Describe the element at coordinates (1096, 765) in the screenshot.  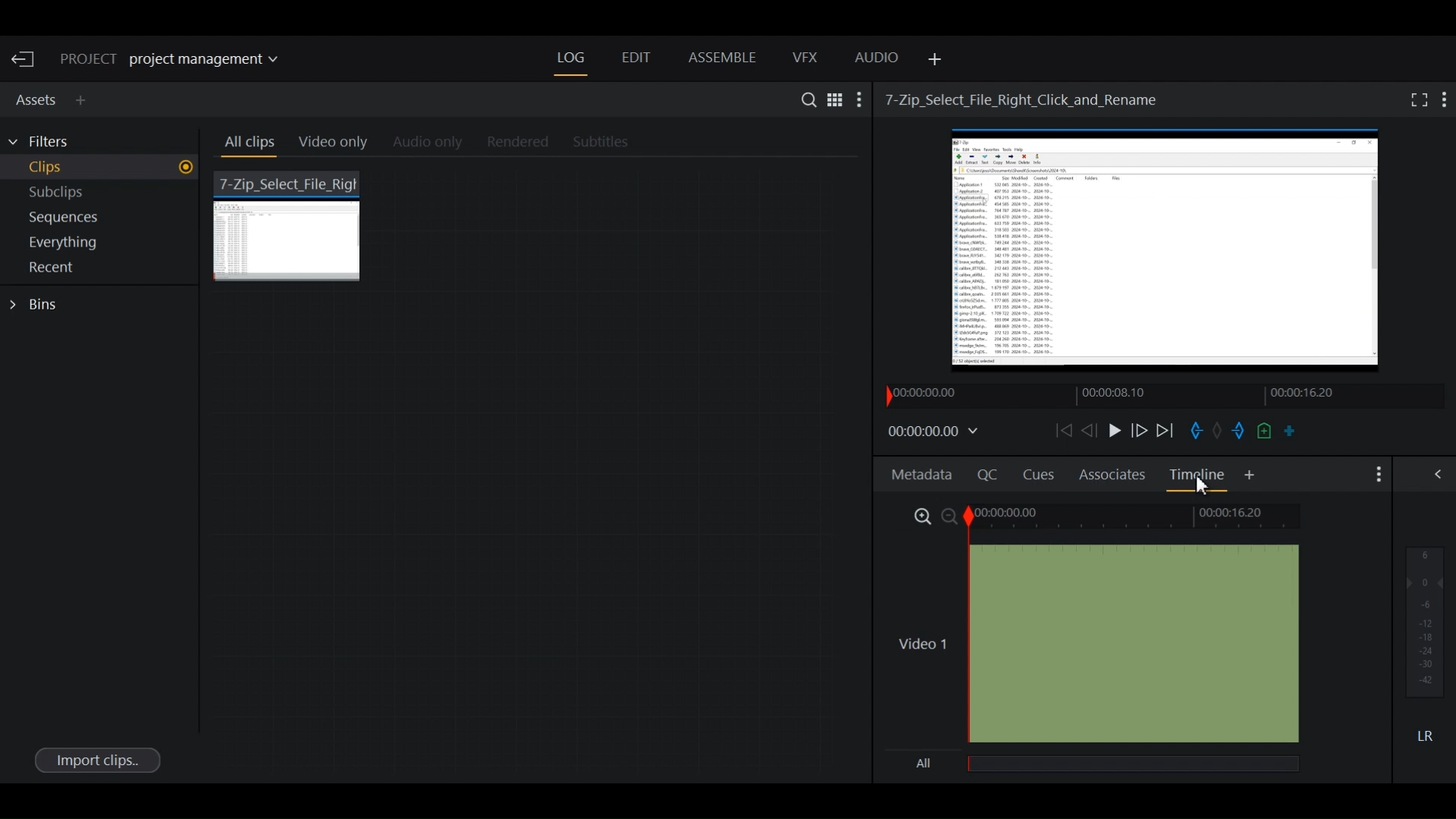
I see `all` at that location.